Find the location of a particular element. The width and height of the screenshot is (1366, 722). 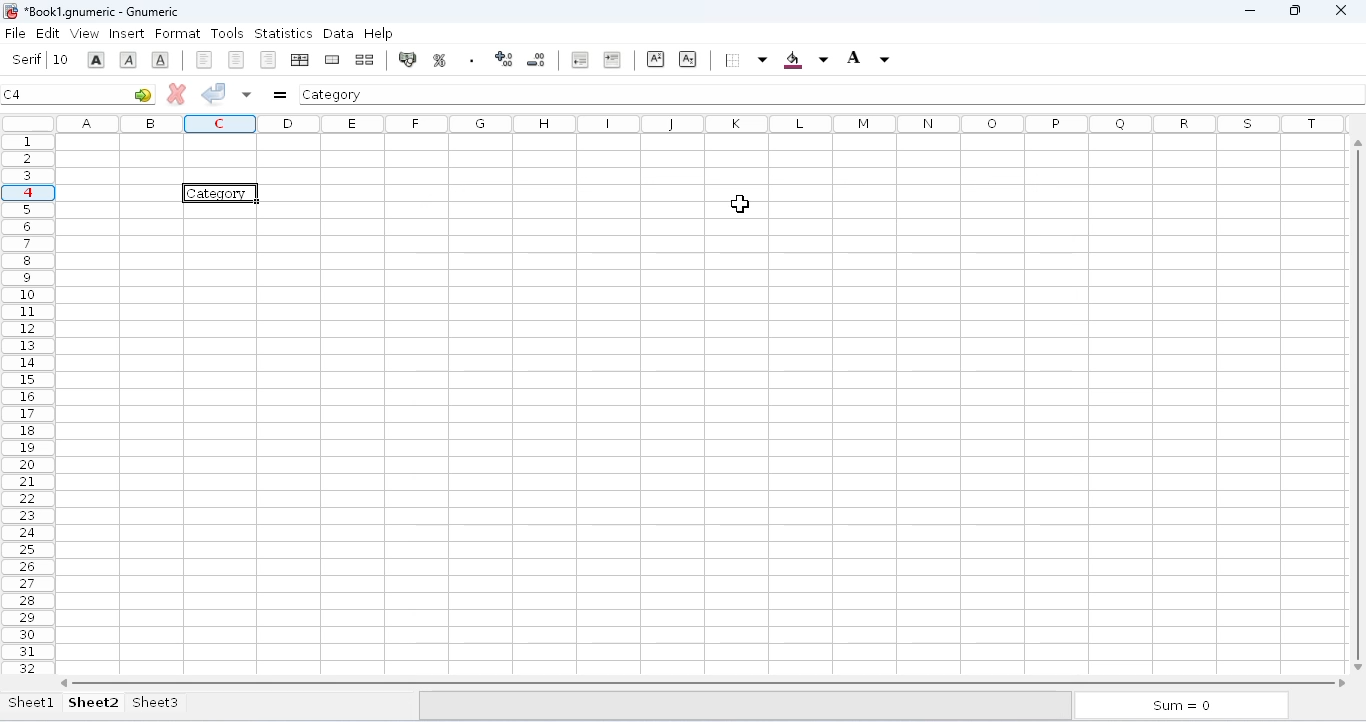

underline is located at coordinates (201, 60).